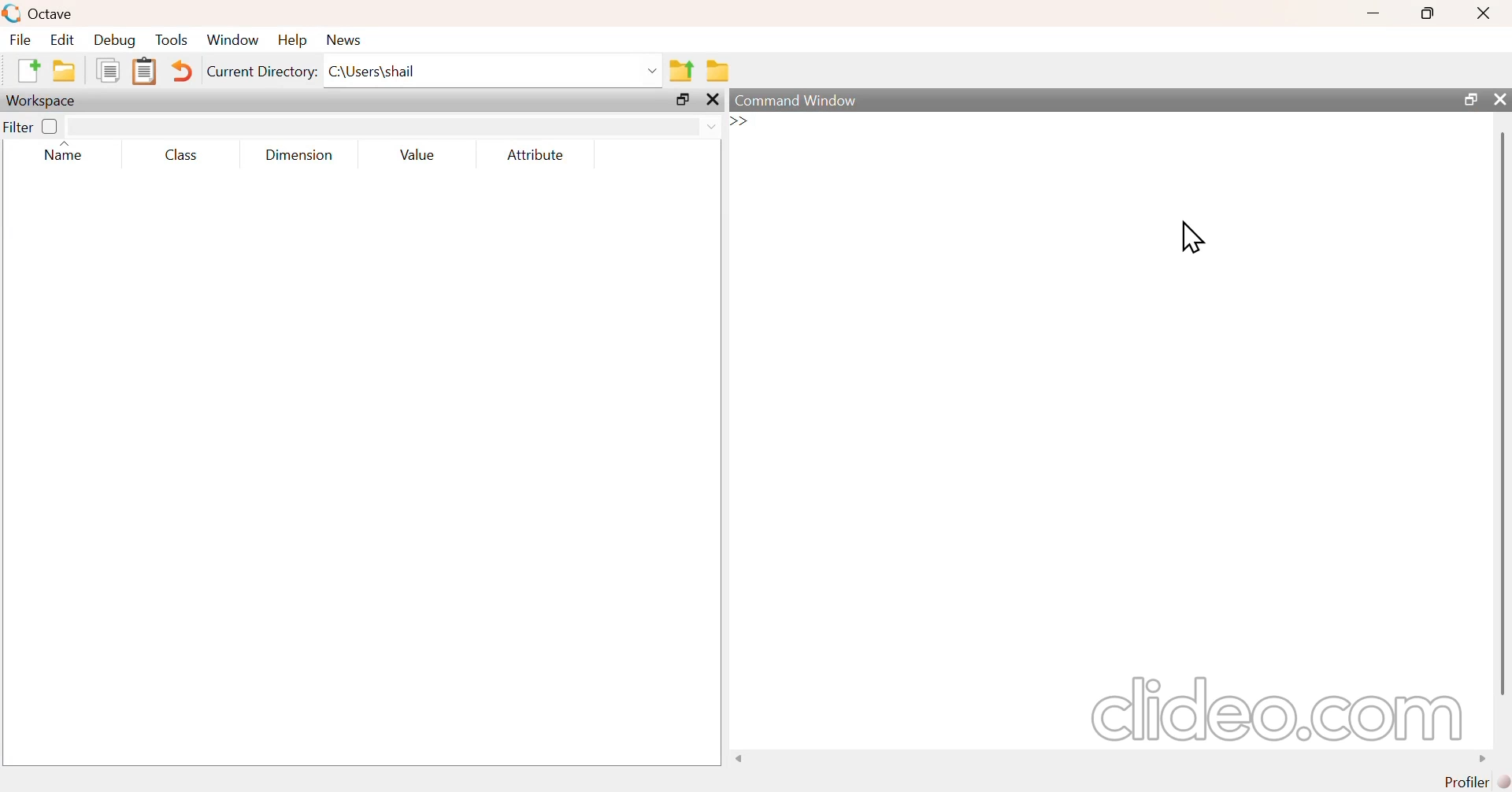 Image resolution: width=1512 pixels, height=792 pixels. What do you see at coordinates (295, 40) in the screenshot?
I see `help` at bounding box center [295, 40].